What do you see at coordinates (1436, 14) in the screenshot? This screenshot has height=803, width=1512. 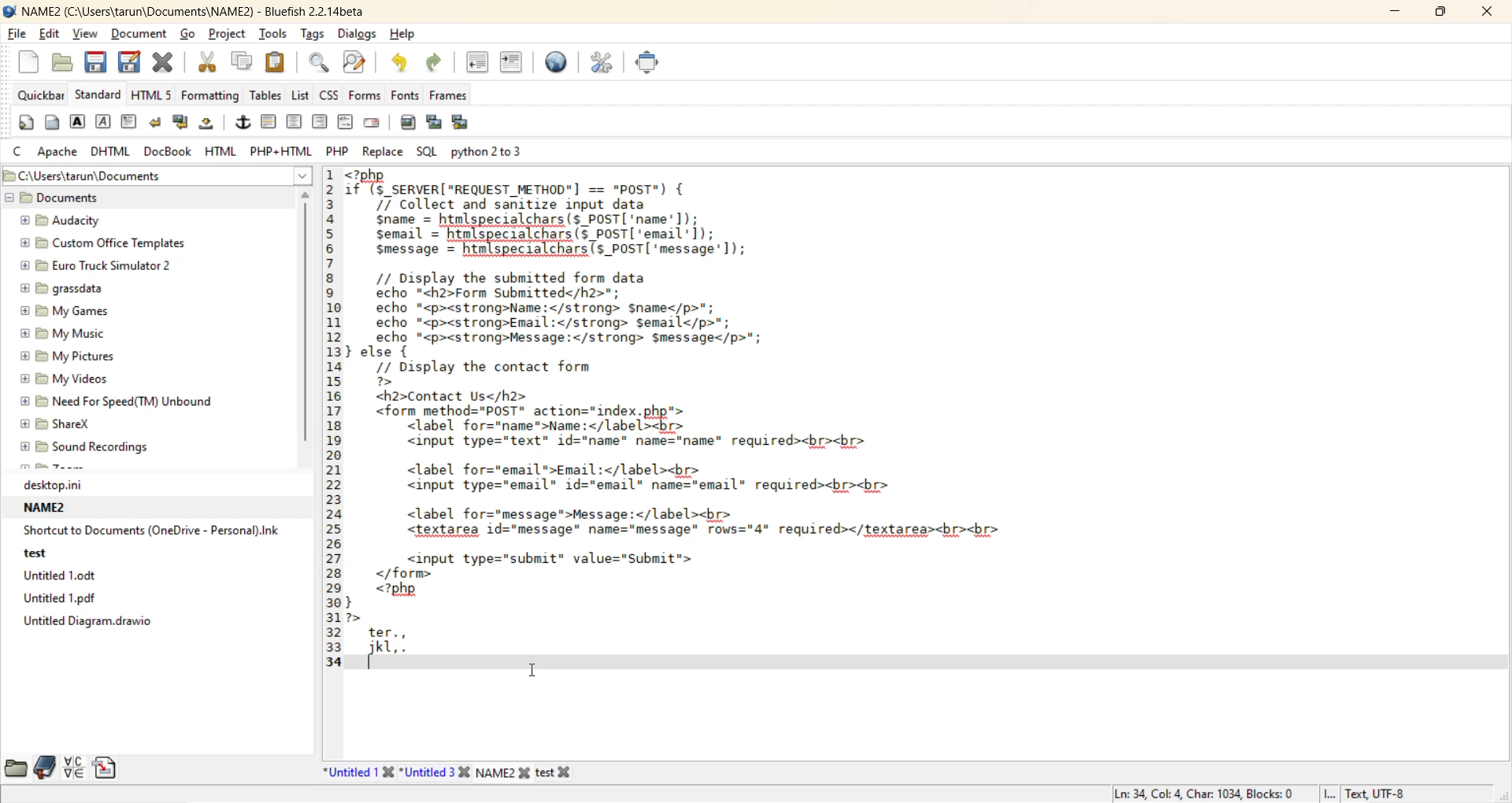 I see `maximize` at bounding box center [1436, 14].